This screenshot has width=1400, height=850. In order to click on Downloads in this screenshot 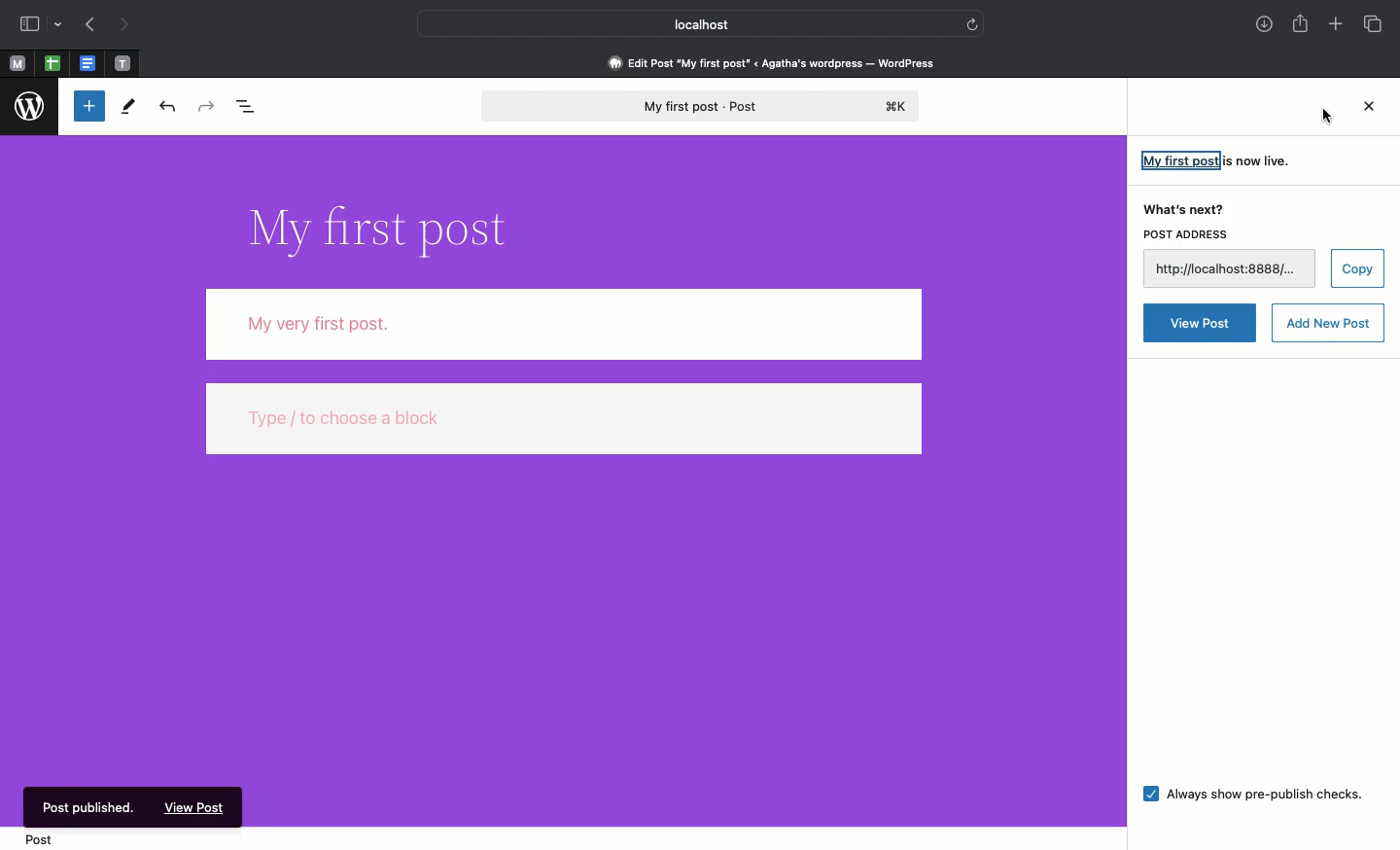, I will do `click(1264, 24)`.